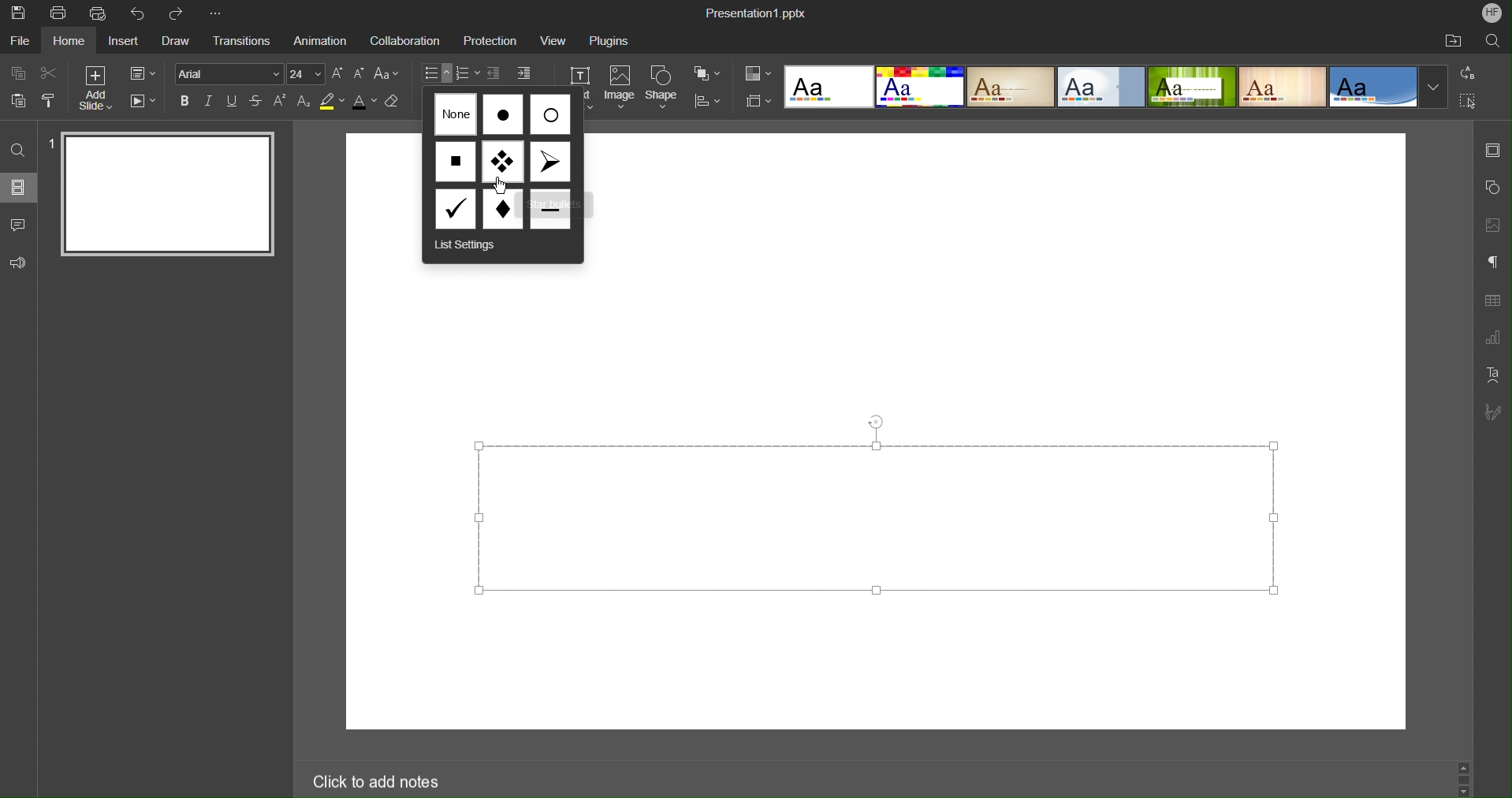  Describe the element at coordinates (1493, 188) in the screenshot. I see `Shape Settings` at that location.